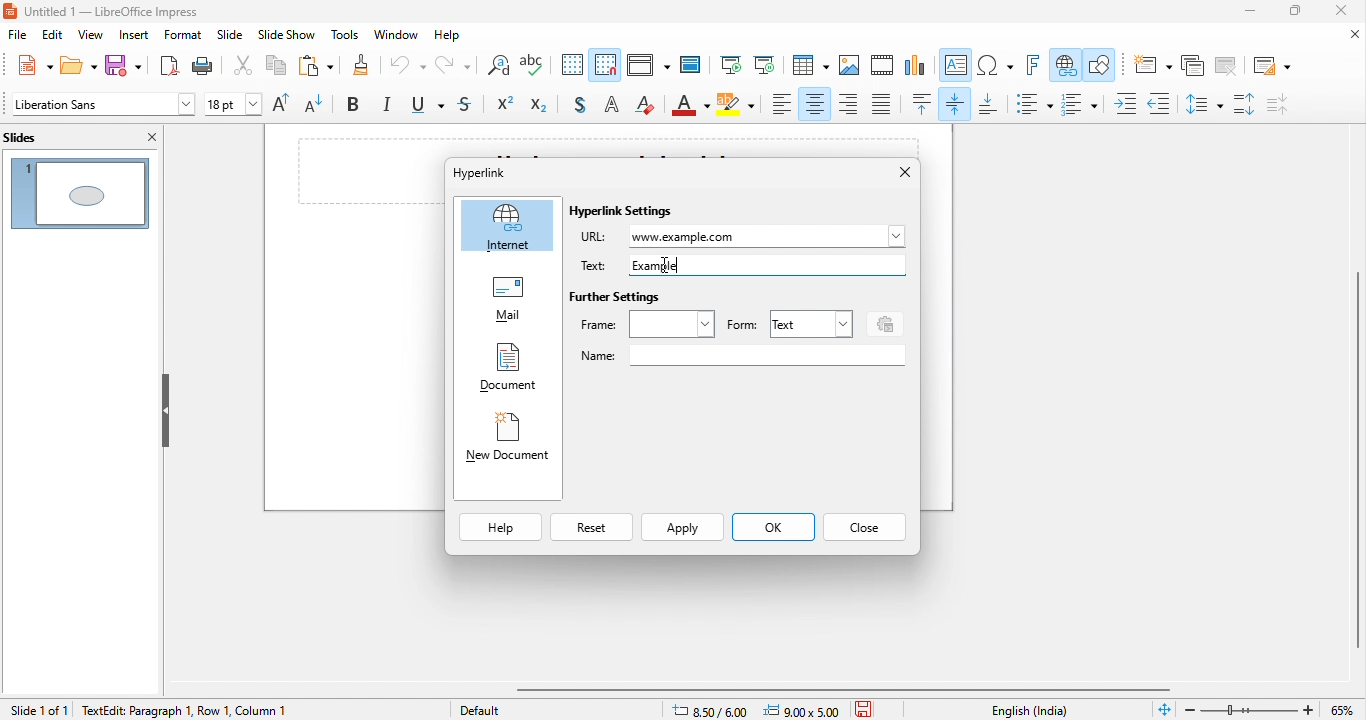  What do you see at coordinates (54, 36) in the screenshot?
I see `edit` at bounding box center [54, 36].